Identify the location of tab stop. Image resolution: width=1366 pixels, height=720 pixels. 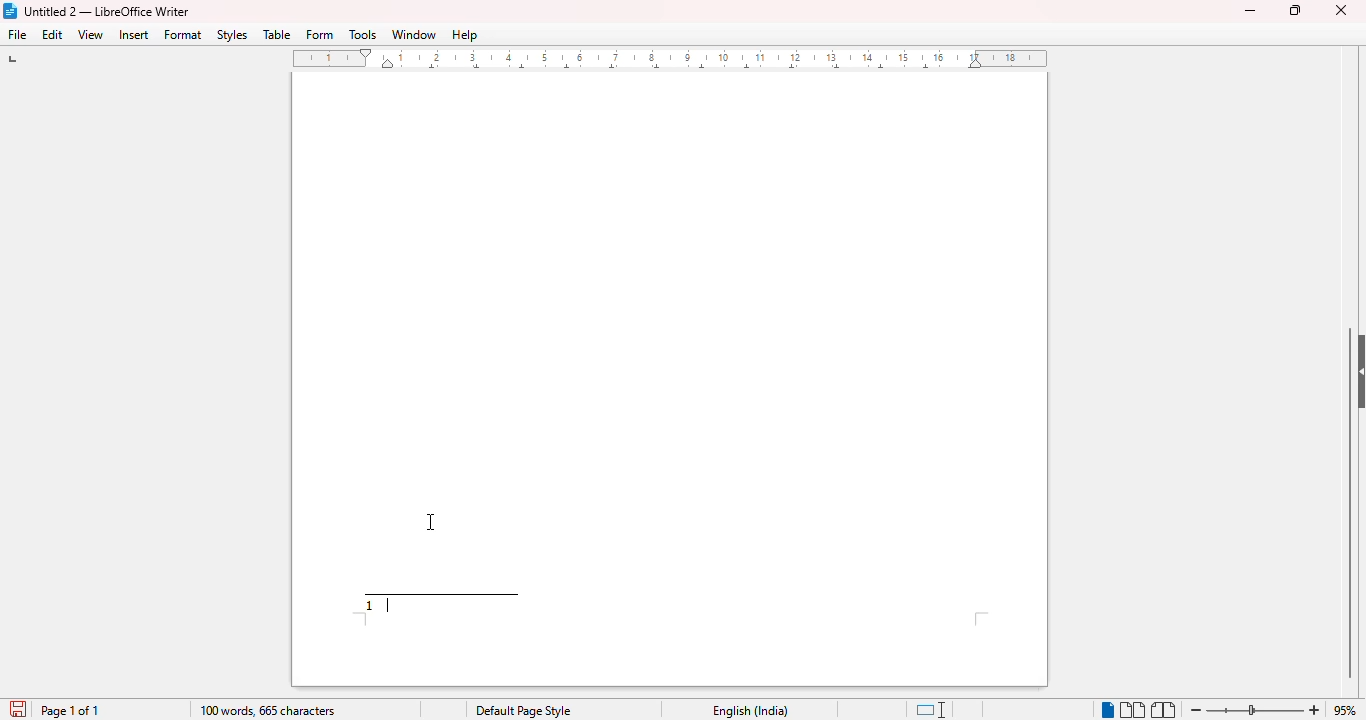
(21, 61).